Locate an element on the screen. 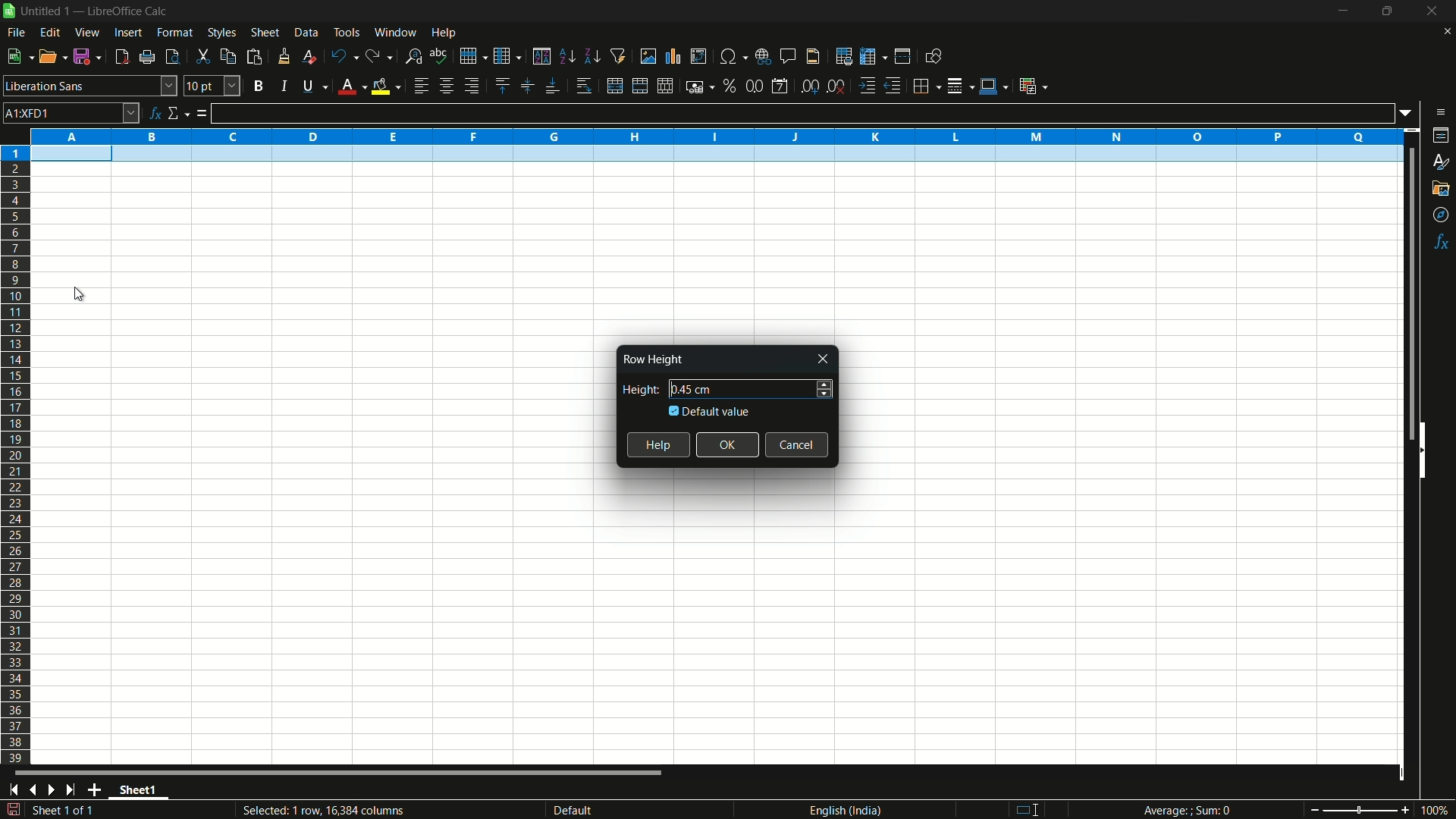  export directly as pdf is located at coordinates (121, 57).